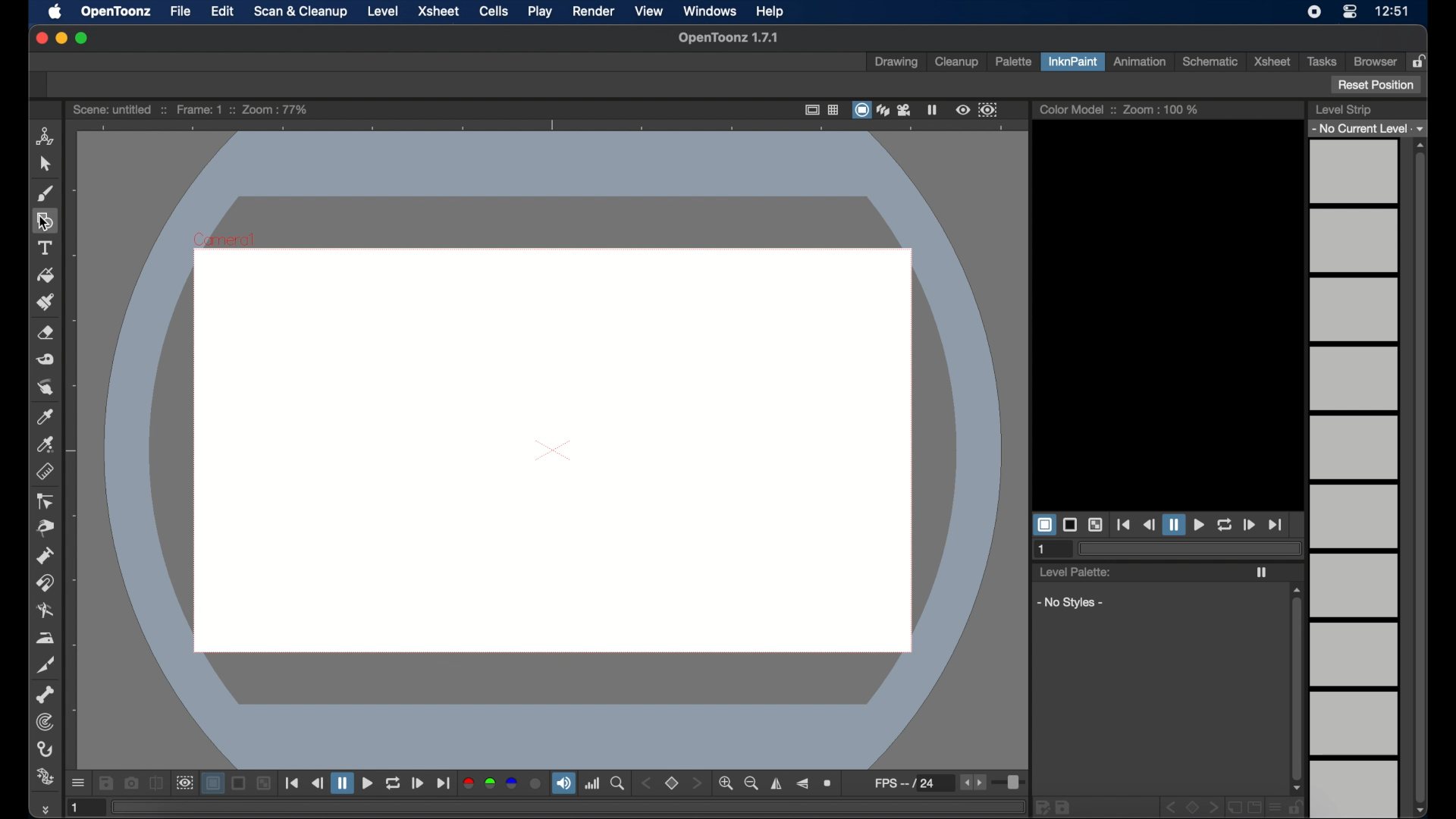  I want to click on stepper button, so click(696, 783).